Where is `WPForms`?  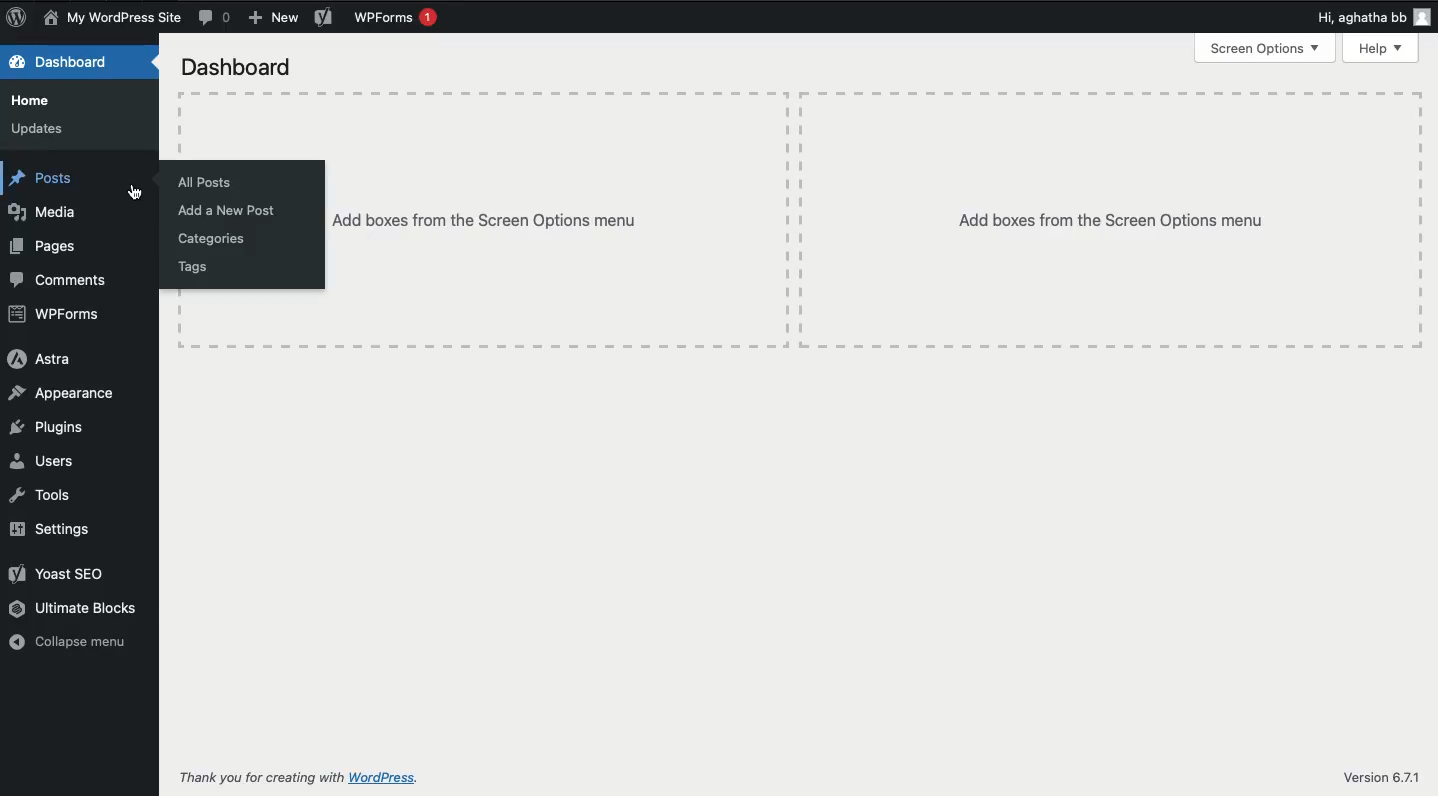
WPForms is located at coordinates (394, 19).